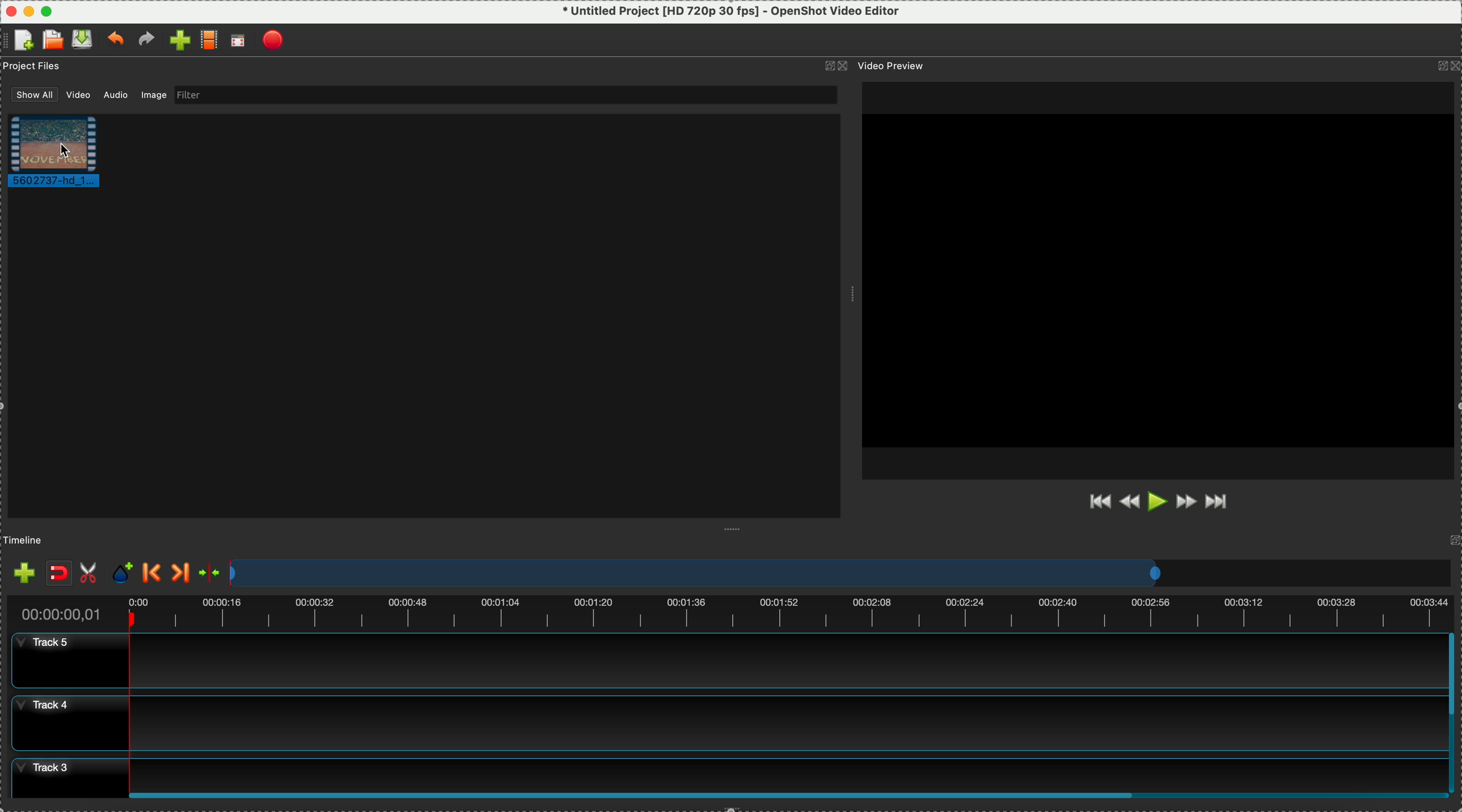 The height and width of the screenshot is (812, 1462). What do you see at coordinates (113, 96) in the screenshot?
I see `audio` at bounding box center [113, 96].